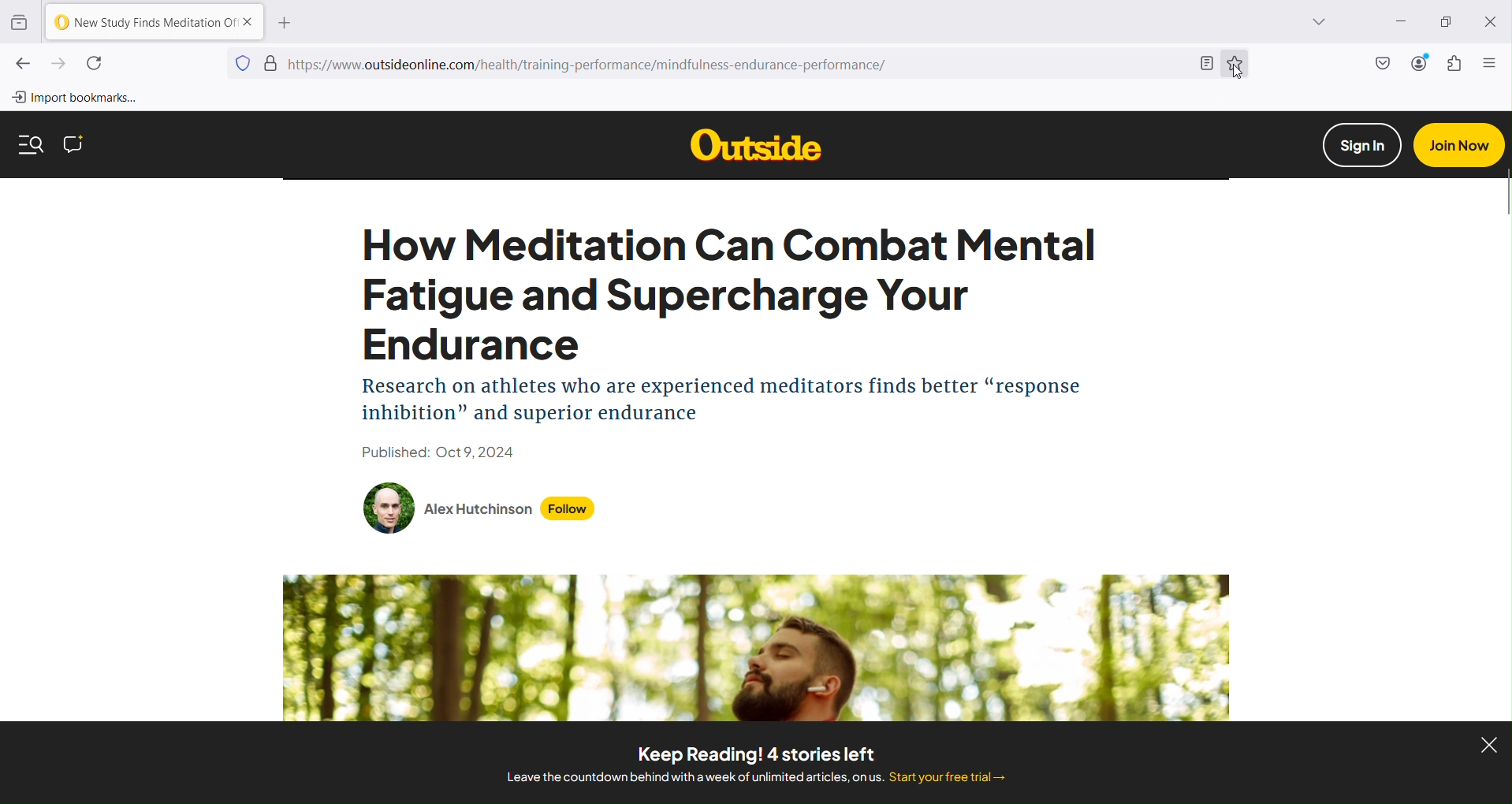  I want to click on Account, so click(1417, 65).